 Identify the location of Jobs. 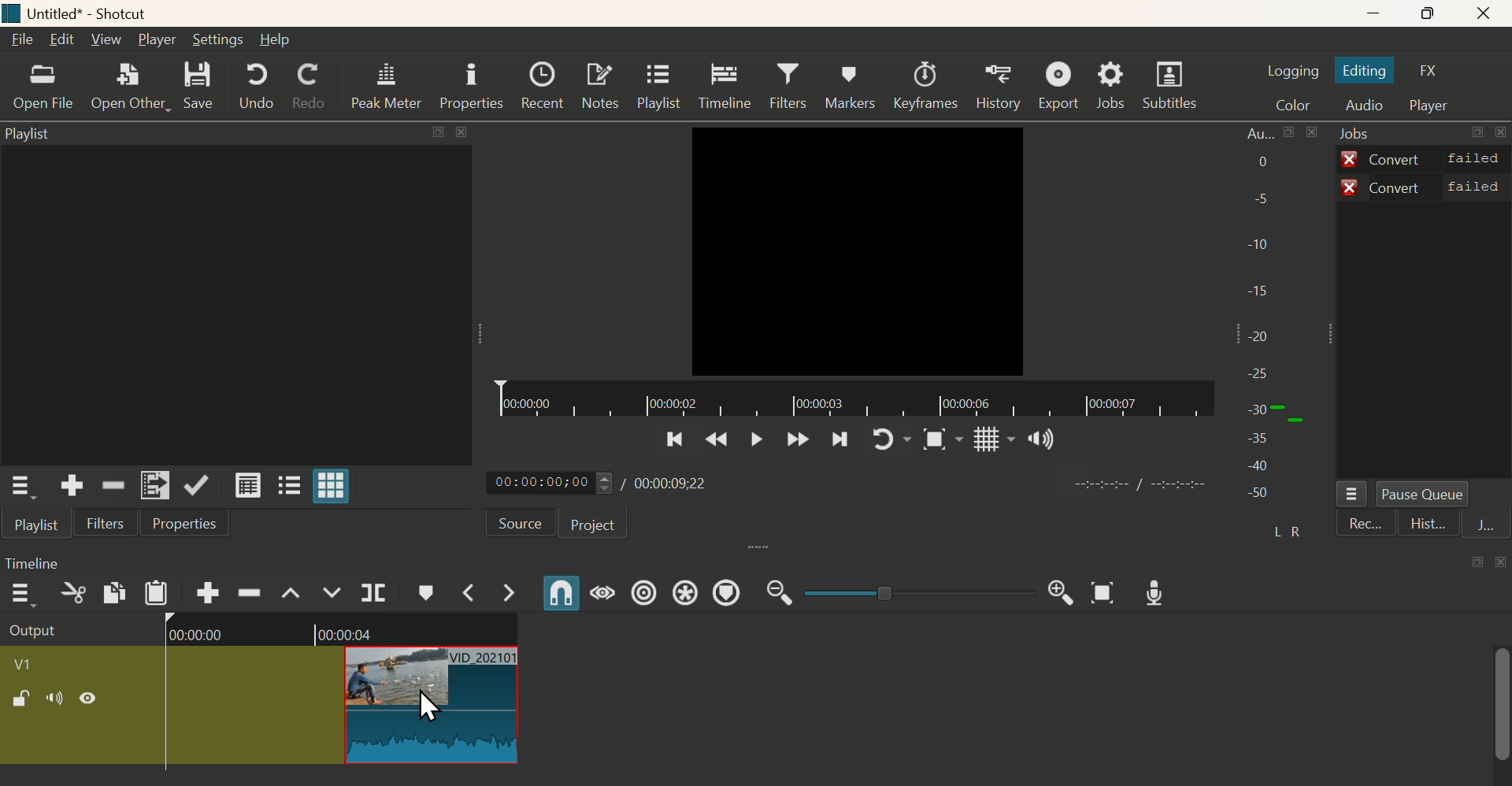
(1361, 134).